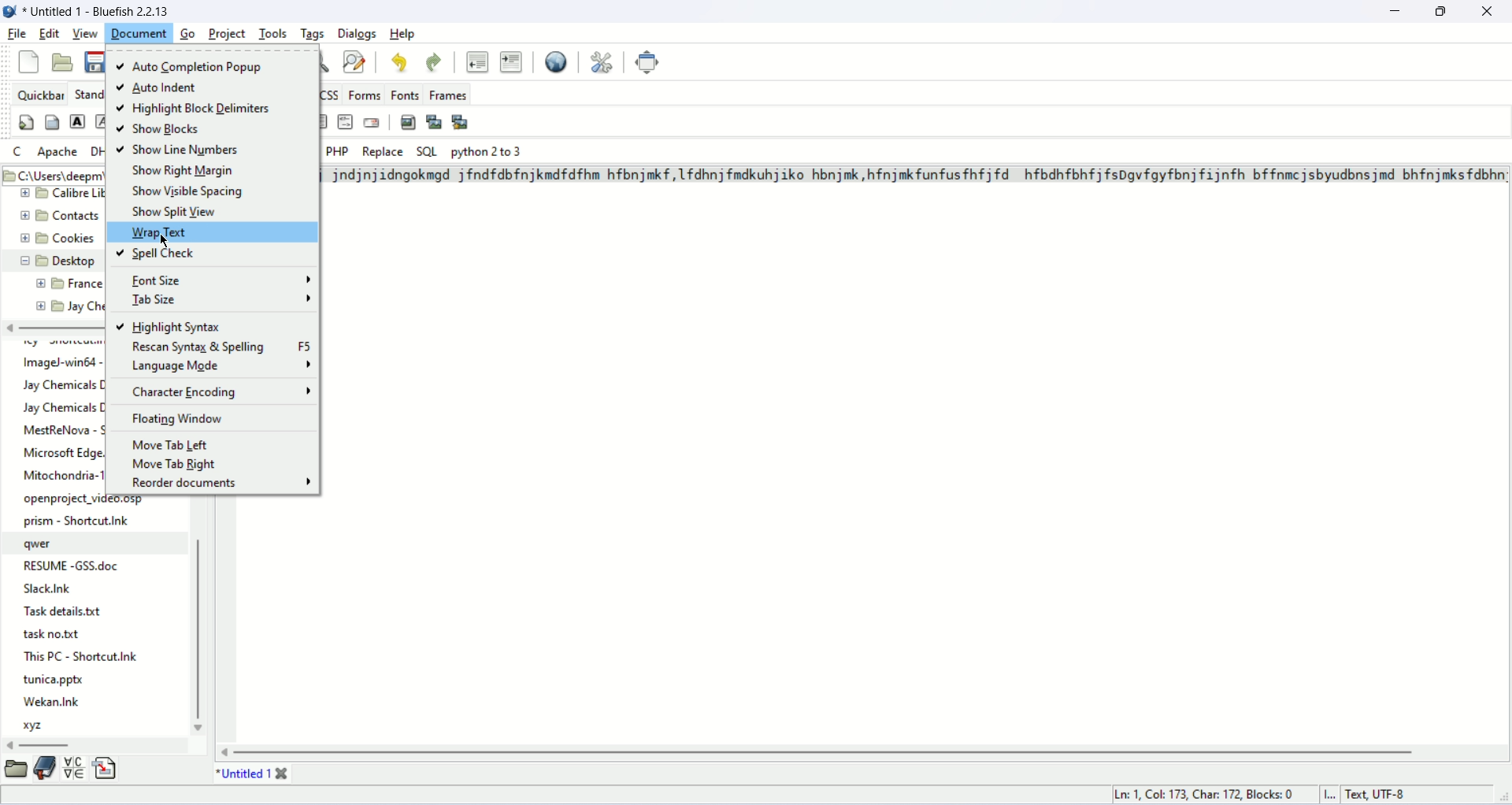  I want to click on highlight syntax, so click(172, 325).